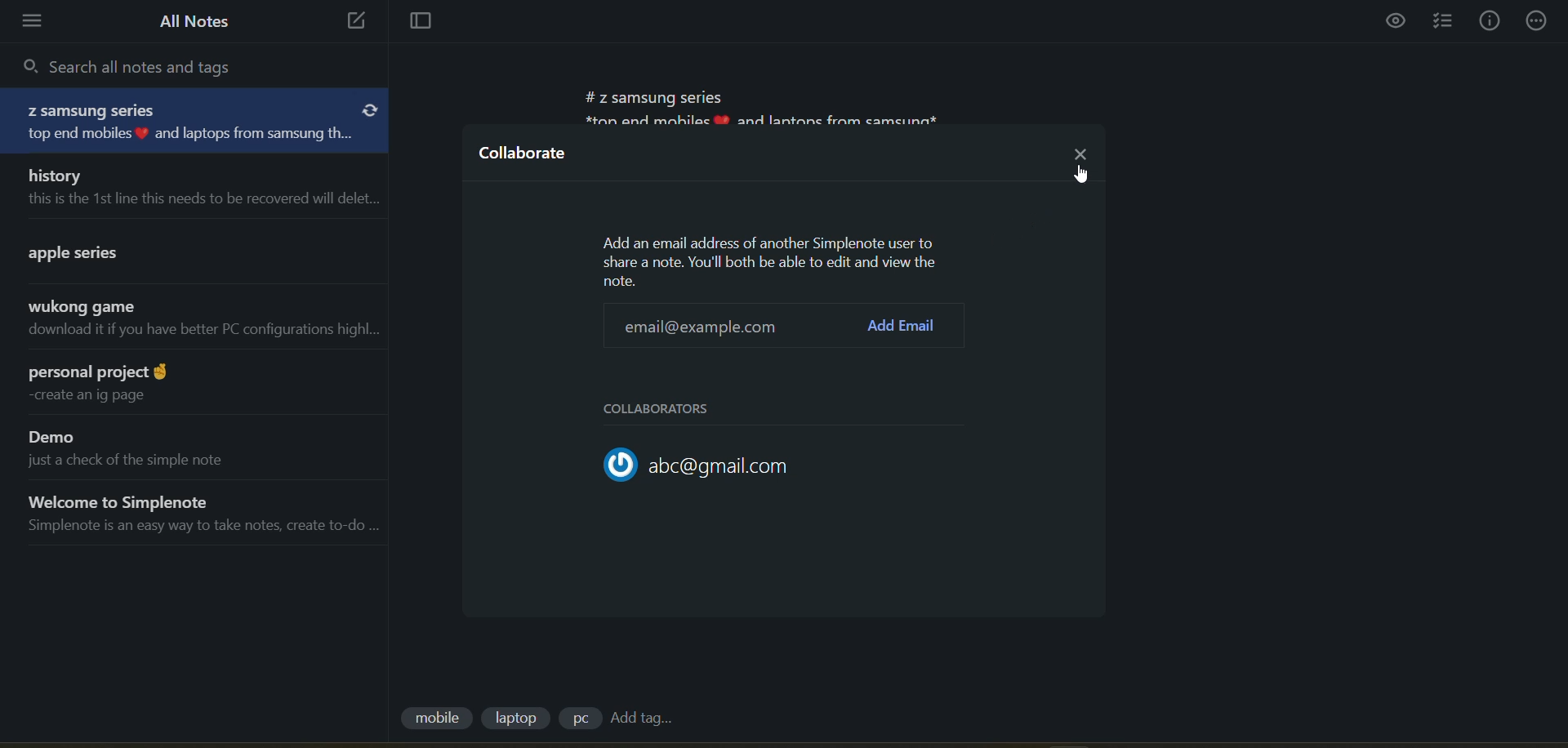 This screenshot has height=748, width=1568. Describe the element at coordinates (414, 23) in the screenshot. I see `toggle focus mode` at that location.